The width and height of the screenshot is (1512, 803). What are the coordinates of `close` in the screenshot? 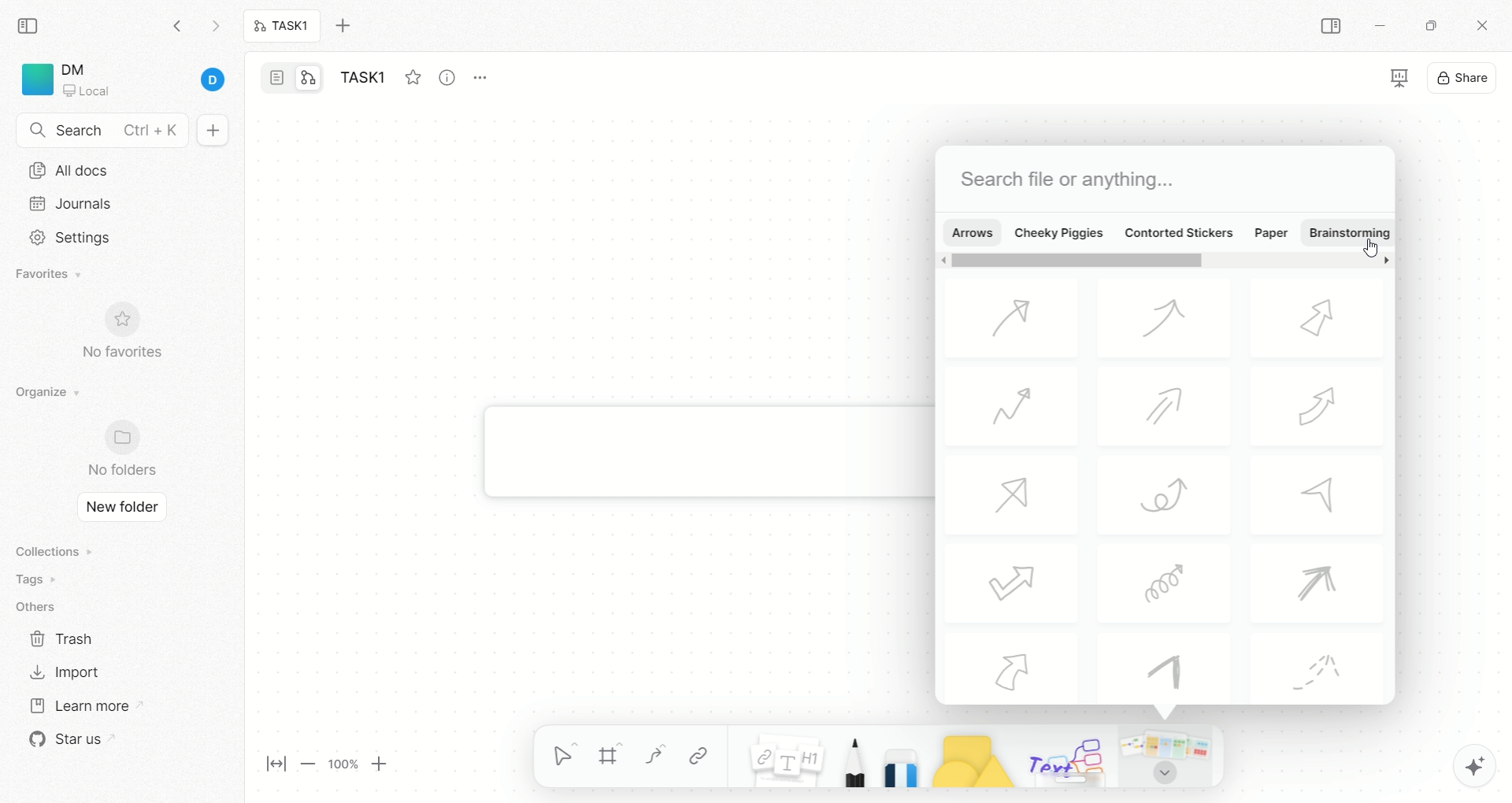 It's located at (1485, 28).